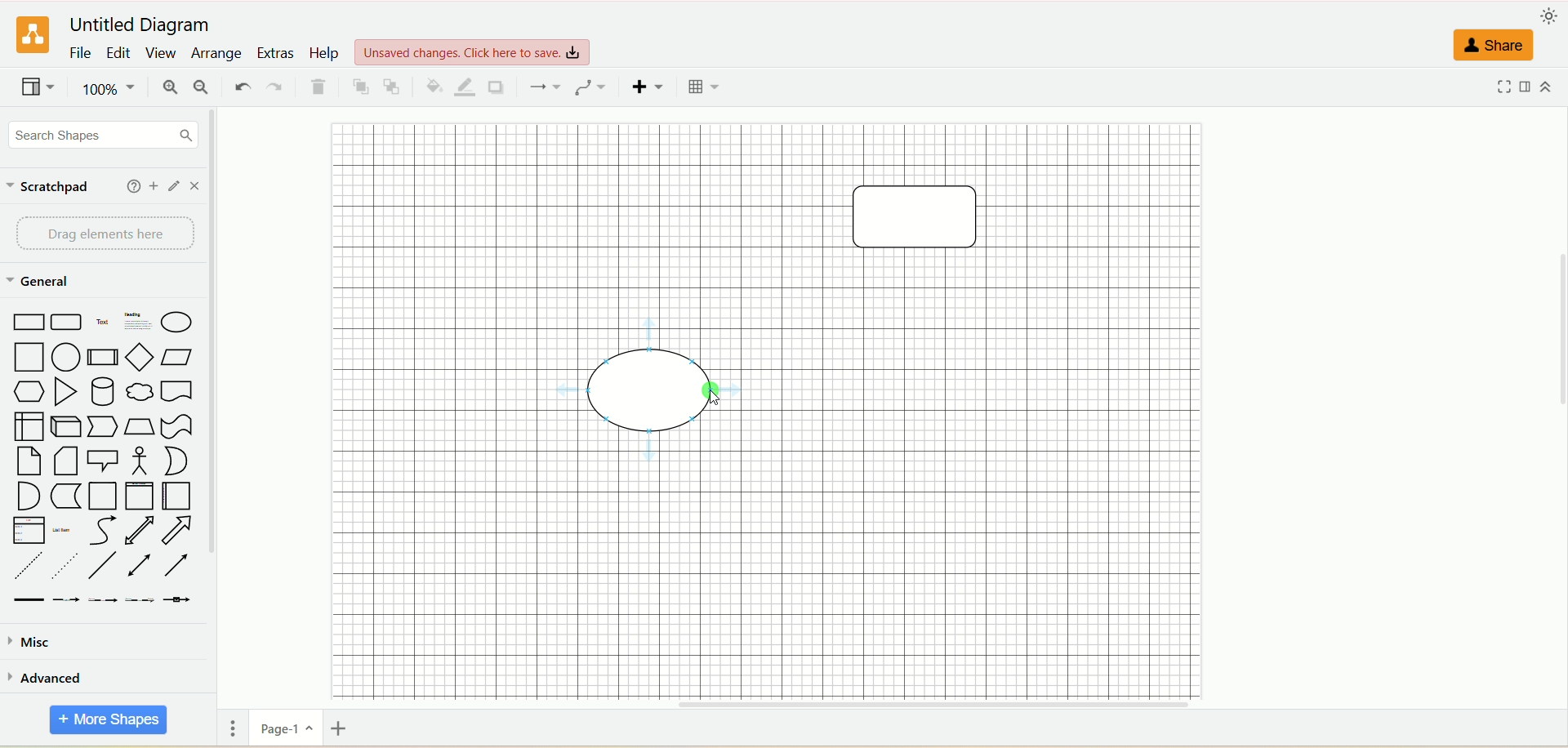  What do you see at coordinates (359, 87) in the screenshot?
I see `to front` at bounding box center [359, 87].